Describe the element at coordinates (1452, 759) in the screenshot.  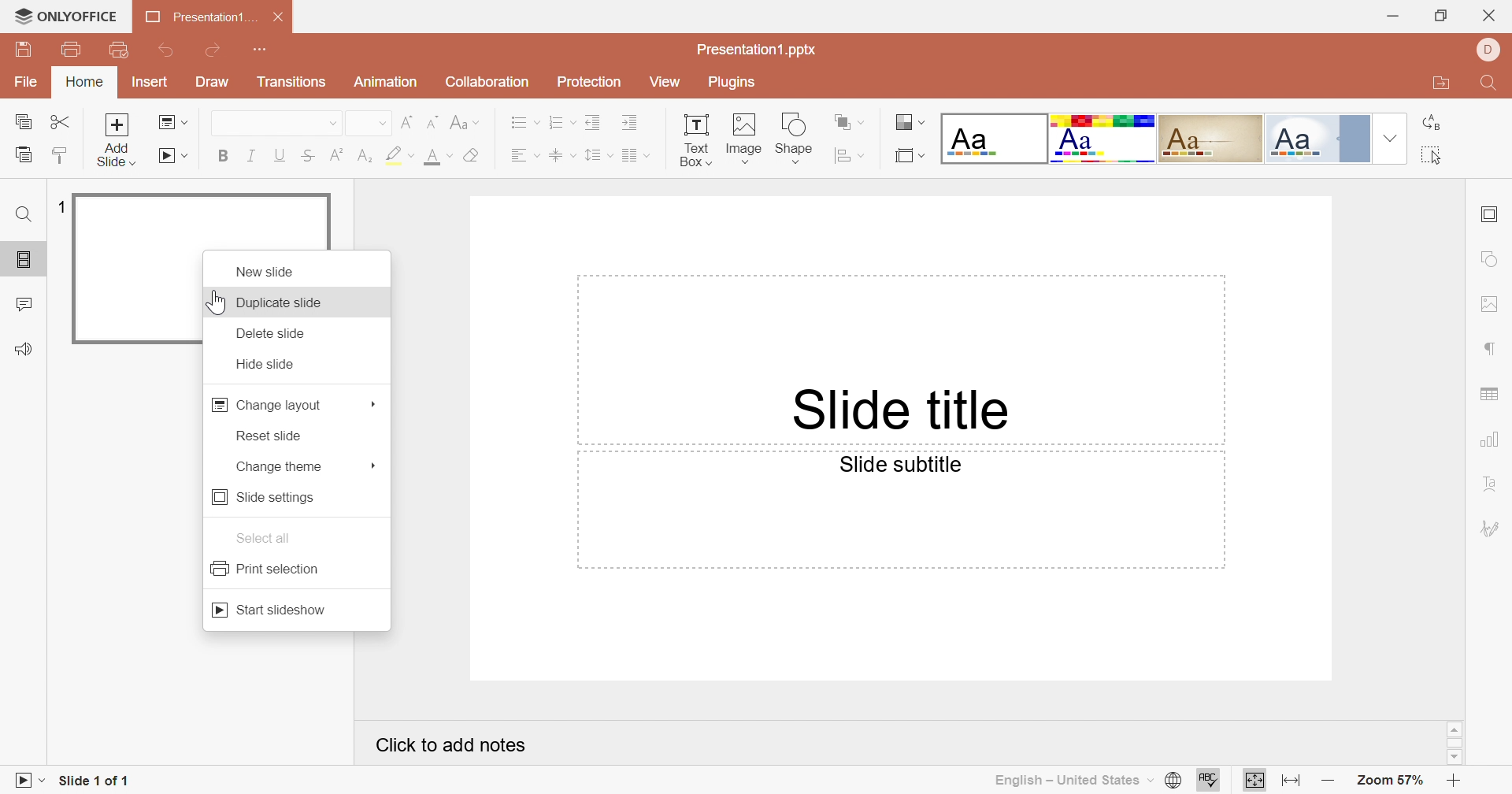
I see `Scroll Down` at that location.